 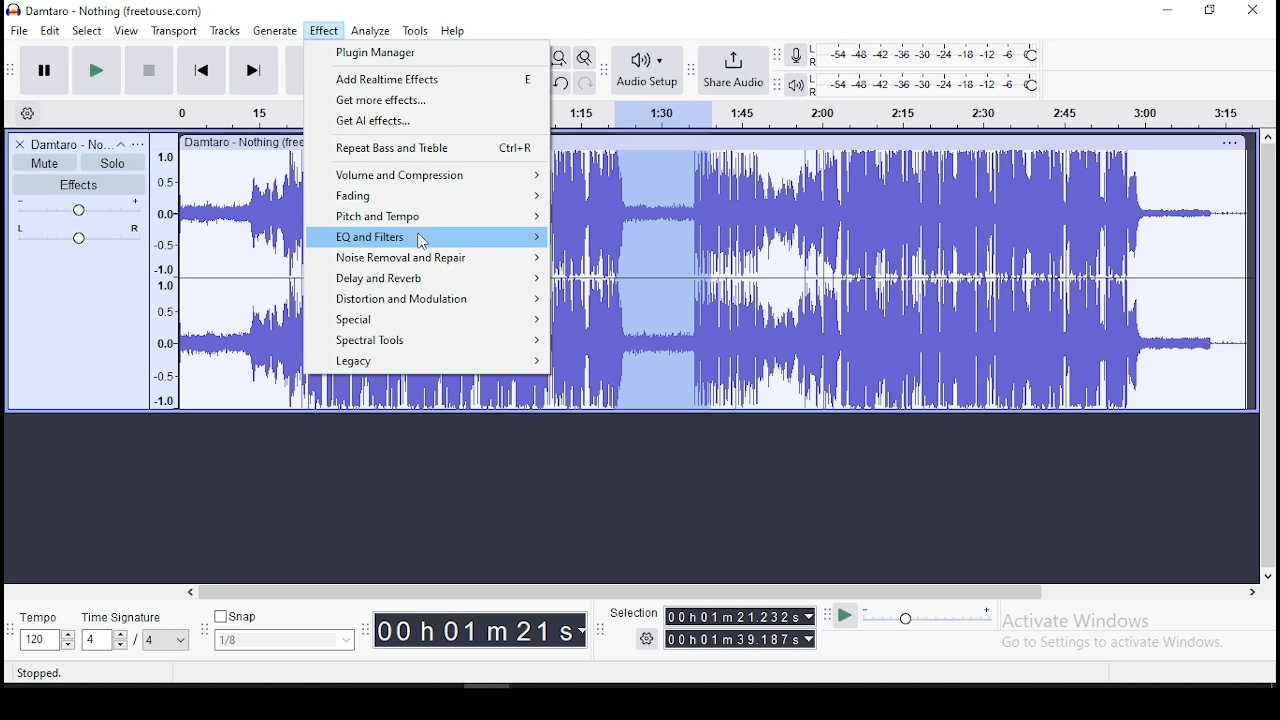 What do you see at coordinates (284, 617) in the screenshot?
I see `Snap` at bounding box center [284, 617].